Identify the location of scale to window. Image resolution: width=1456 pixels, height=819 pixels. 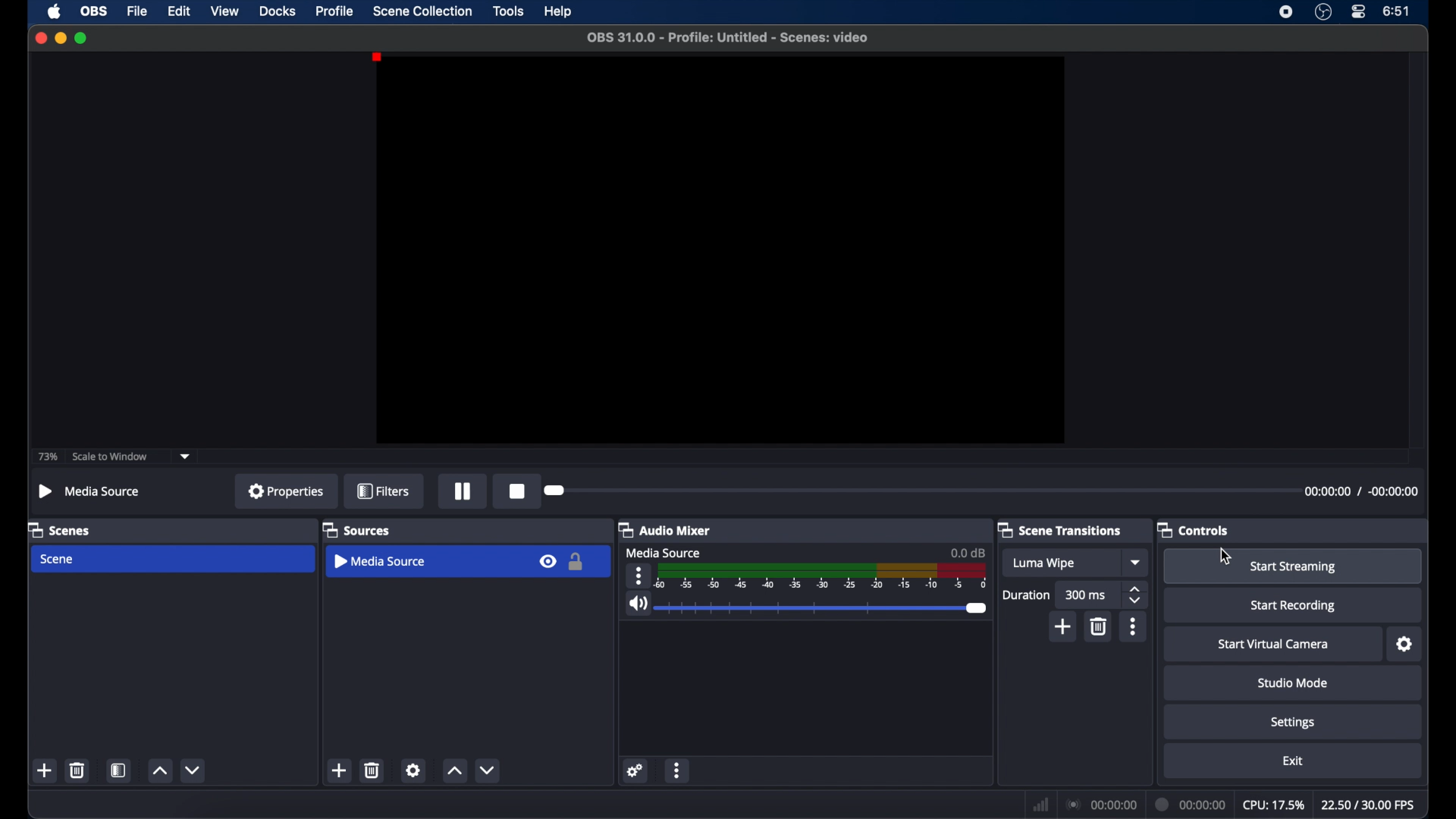
(110, 457).